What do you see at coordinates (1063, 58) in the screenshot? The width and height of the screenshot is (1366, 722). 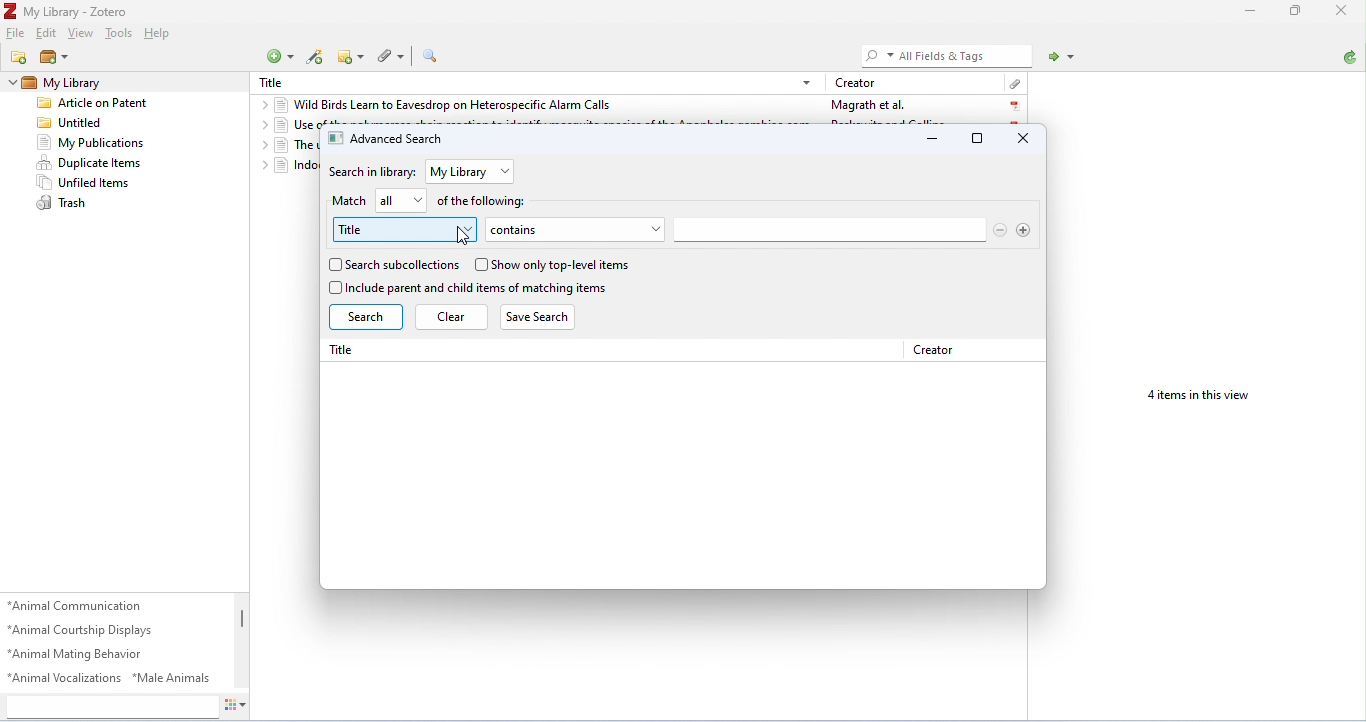 I see `locate` at bounding box center [1063, 58].